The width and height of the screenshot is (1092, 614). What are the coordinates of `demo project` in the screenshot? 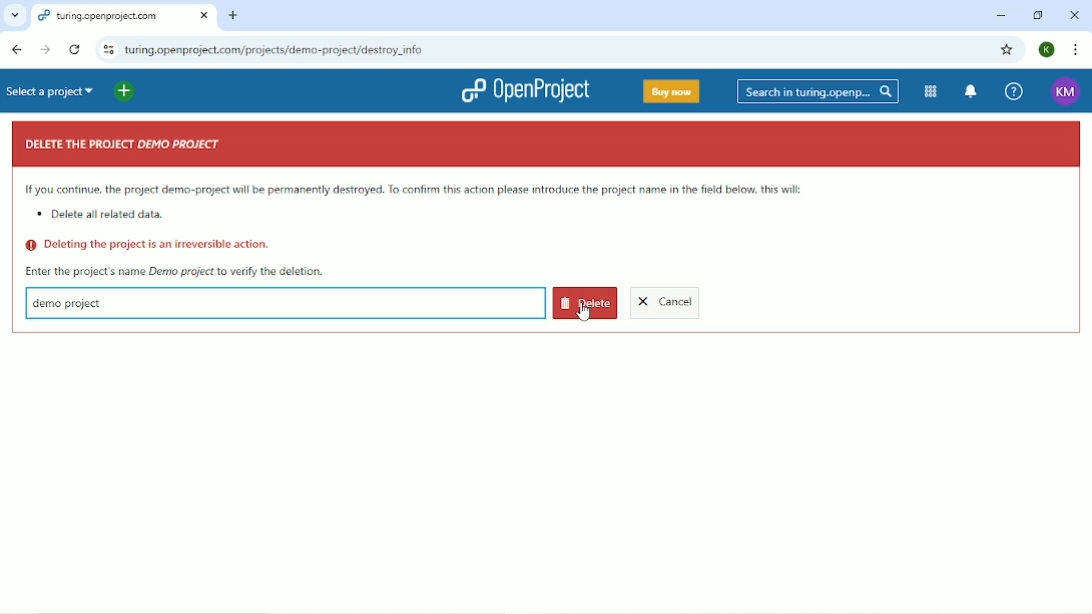 It's located at (67, 302).